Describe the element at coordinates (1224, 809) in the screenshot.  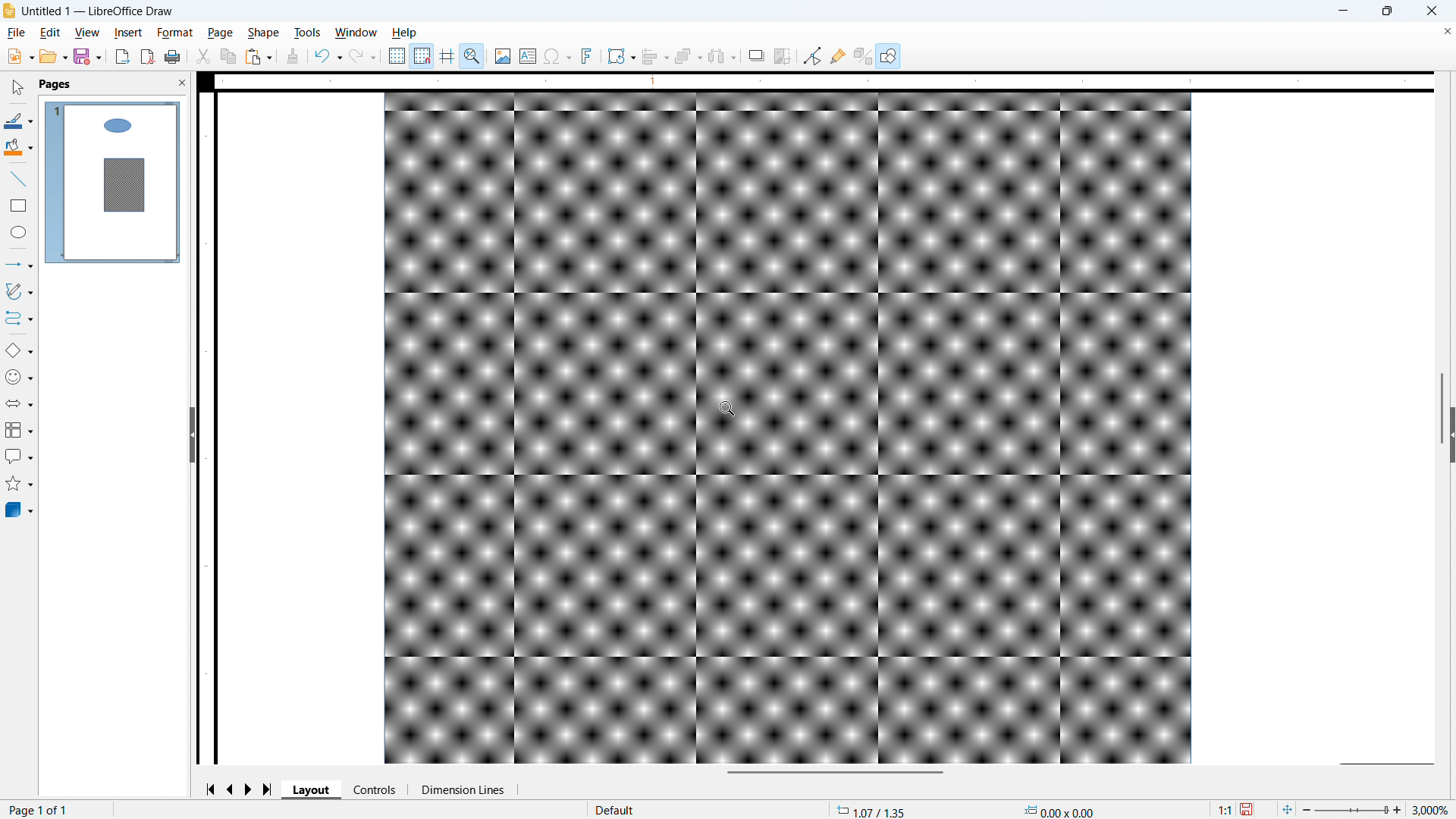
I see `Scaling factor ` at that location.